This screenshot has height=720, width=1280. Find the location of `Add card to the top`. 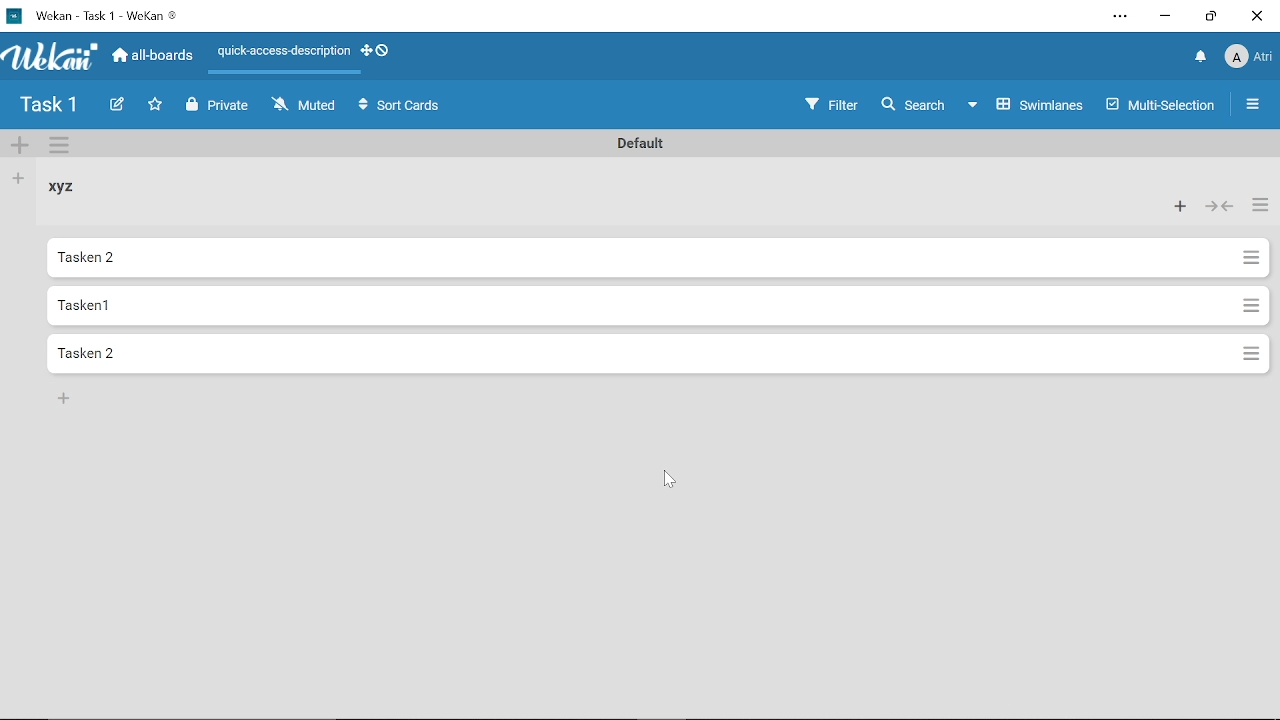

Add card to the top is located at coordinates (1180, 206).